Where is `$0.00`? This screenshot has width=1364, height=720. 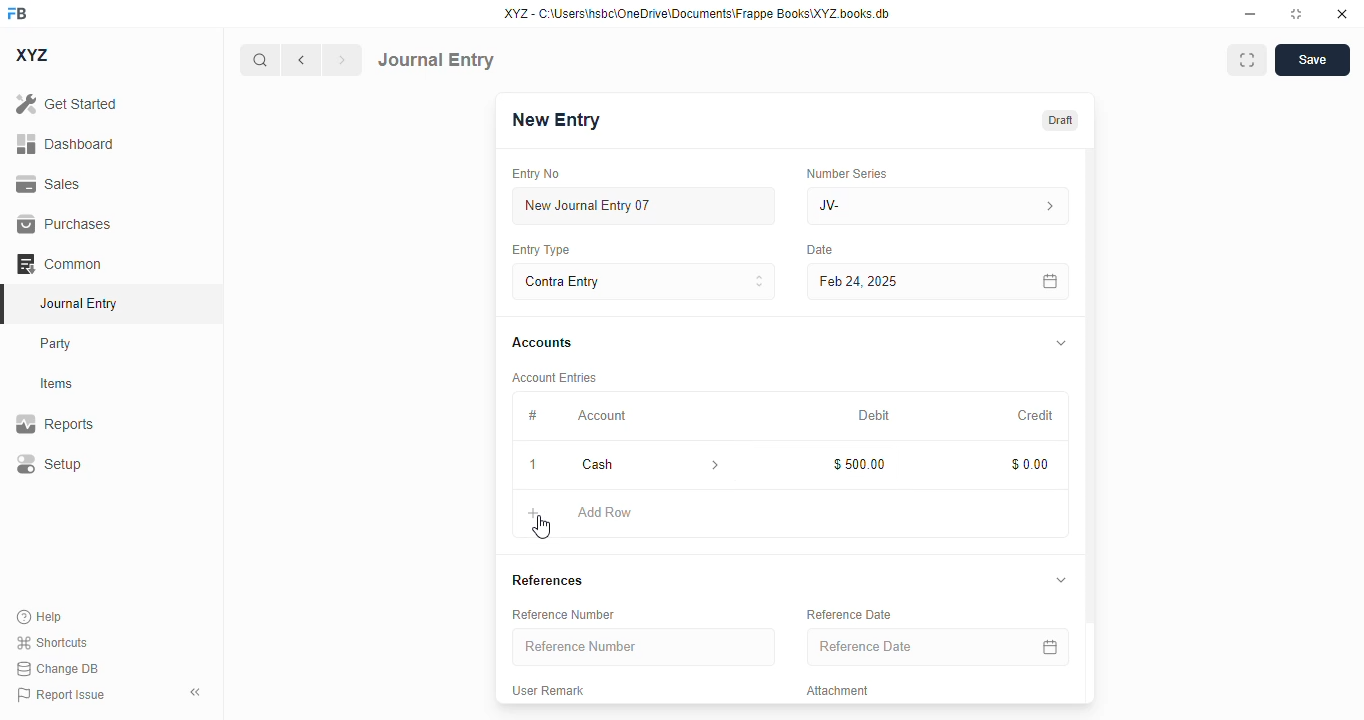
$0.00 is located at coordinates (1032, 464).